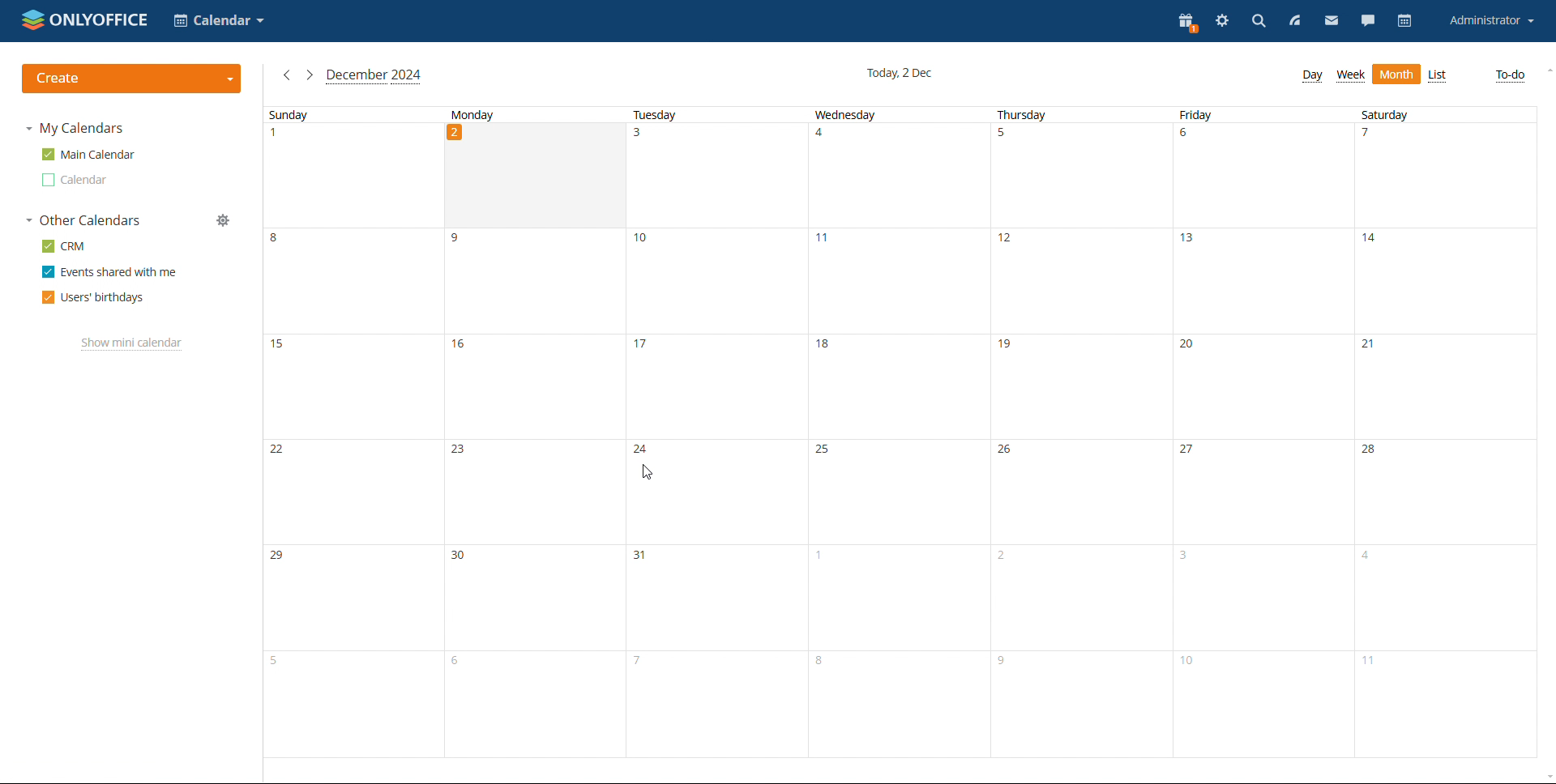  I want to click on feed, so click(1292, 21).